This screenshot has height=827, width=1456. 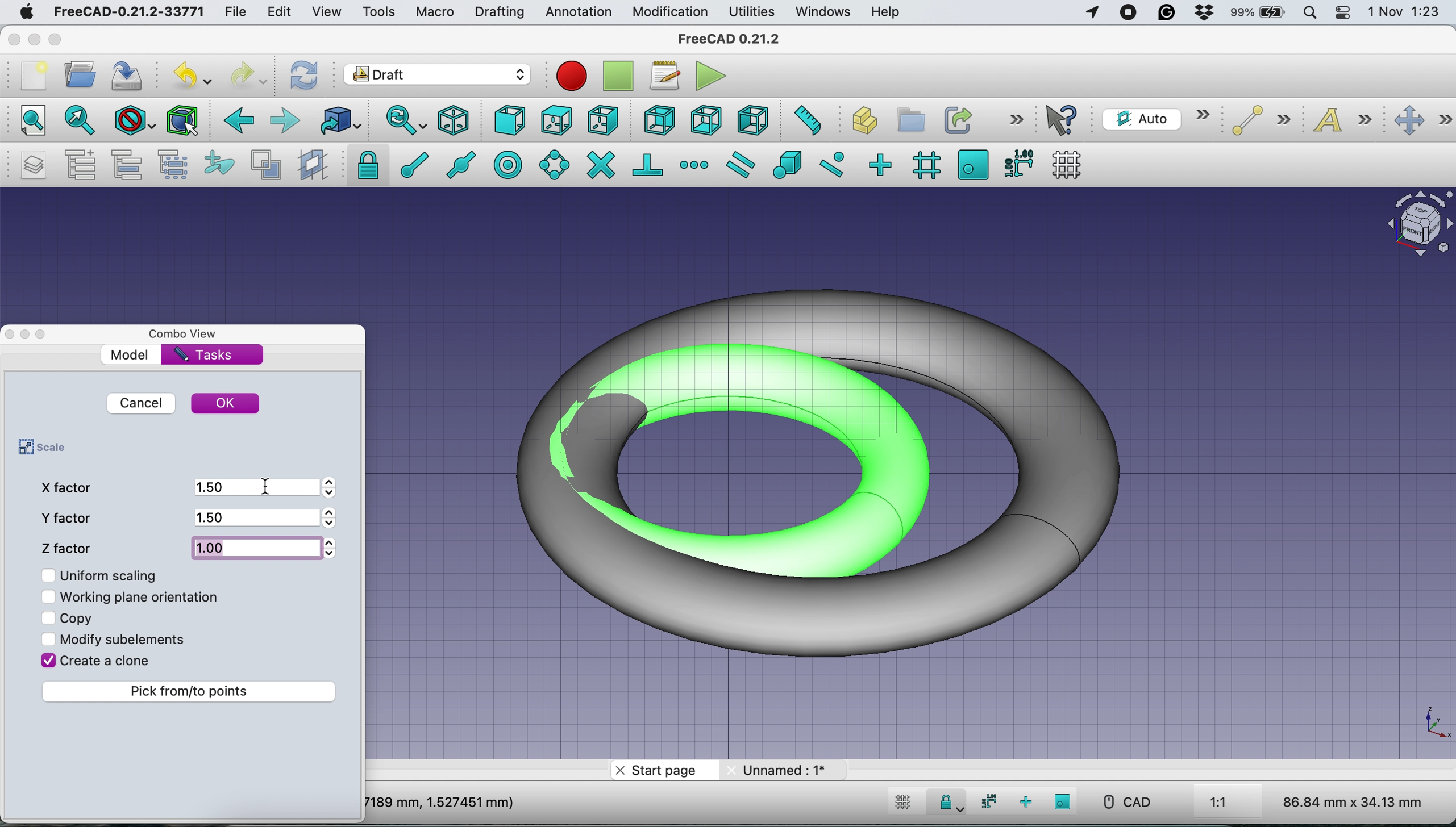 What do you see at coordinates (883, 12) in the screenshot?
I see `help` at bounding box center [883, 12].